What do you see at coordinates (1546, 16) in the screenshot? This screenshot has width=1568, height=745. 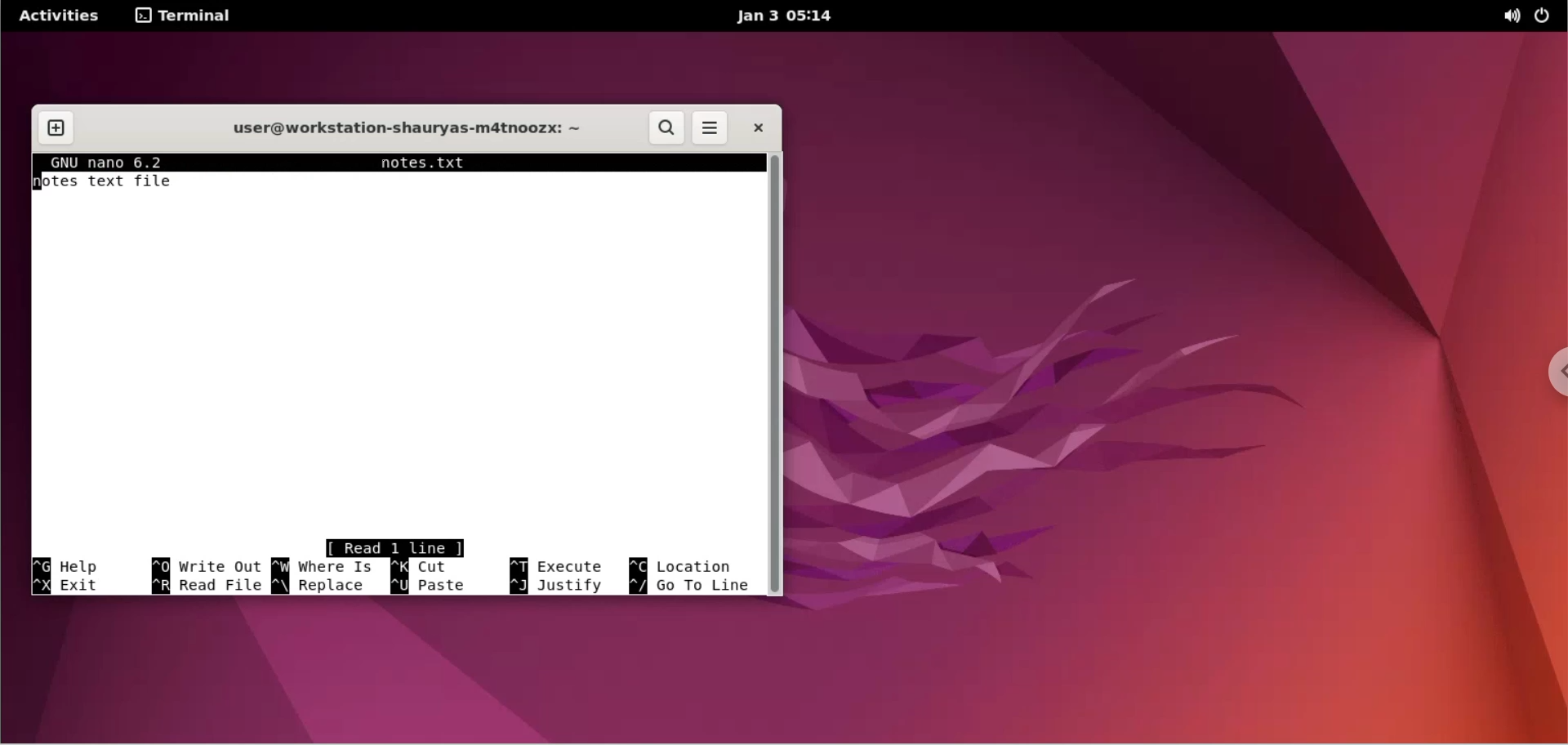 I see `power options` at bounding box center [1546, 16].